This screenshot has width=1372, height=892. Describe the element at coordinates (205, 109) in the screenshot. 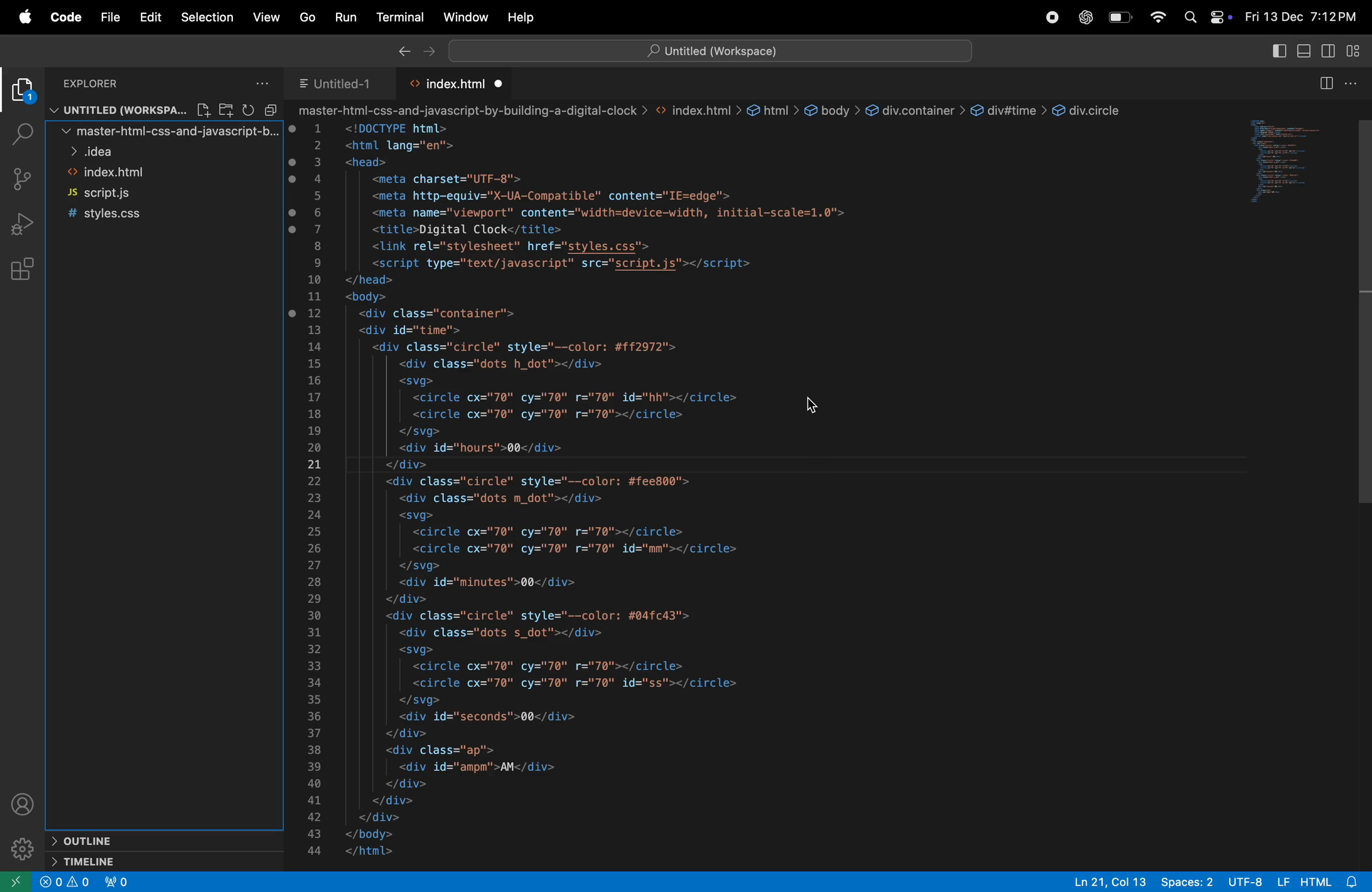

I see `file` at that location.